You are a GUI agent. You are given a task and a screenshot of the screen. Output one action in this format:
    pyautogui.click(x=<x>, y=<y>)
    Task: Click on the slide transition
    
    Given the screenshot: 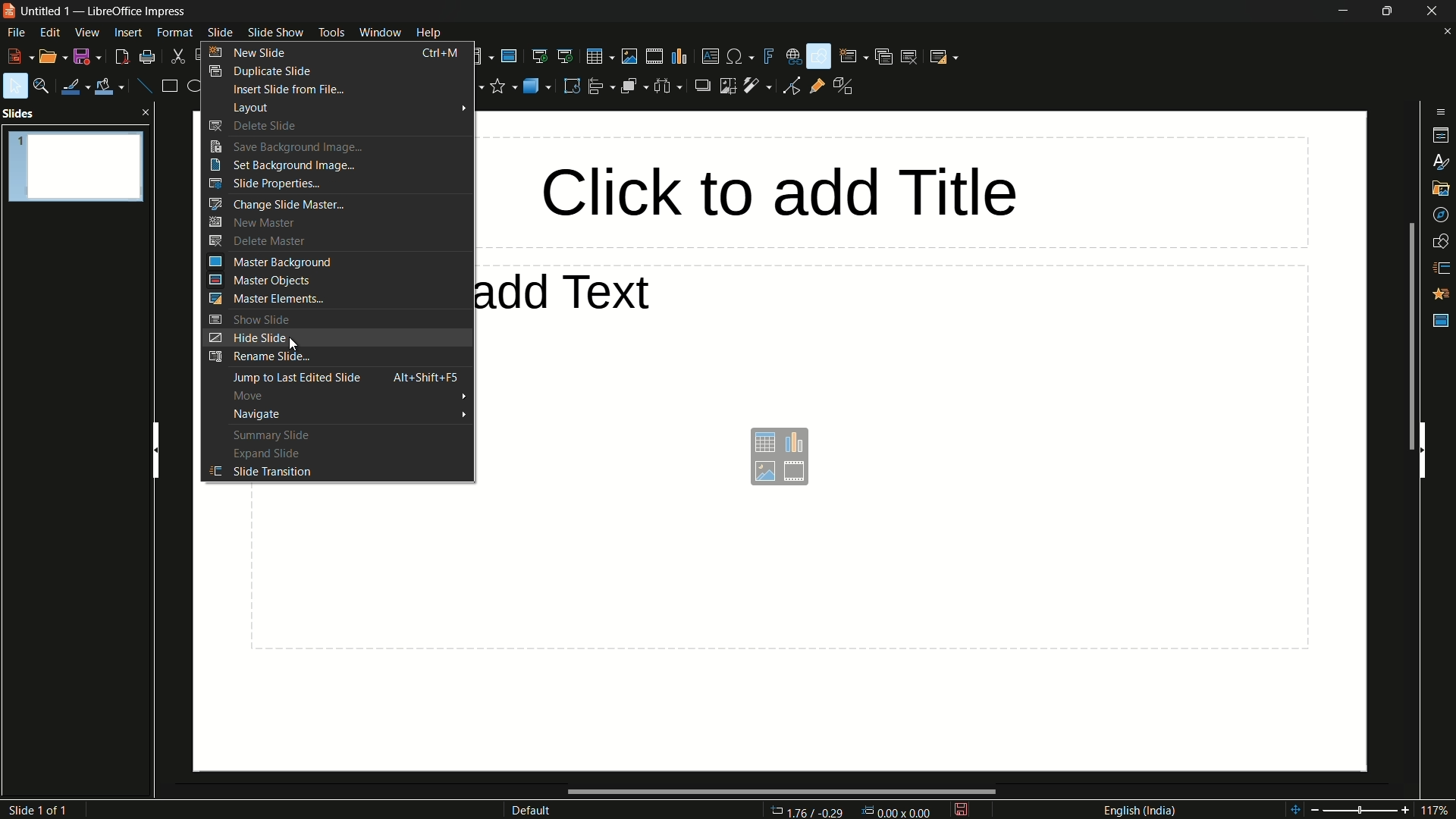 What is the action you would take?
    pyautogui.click(x=259, y=471)
    